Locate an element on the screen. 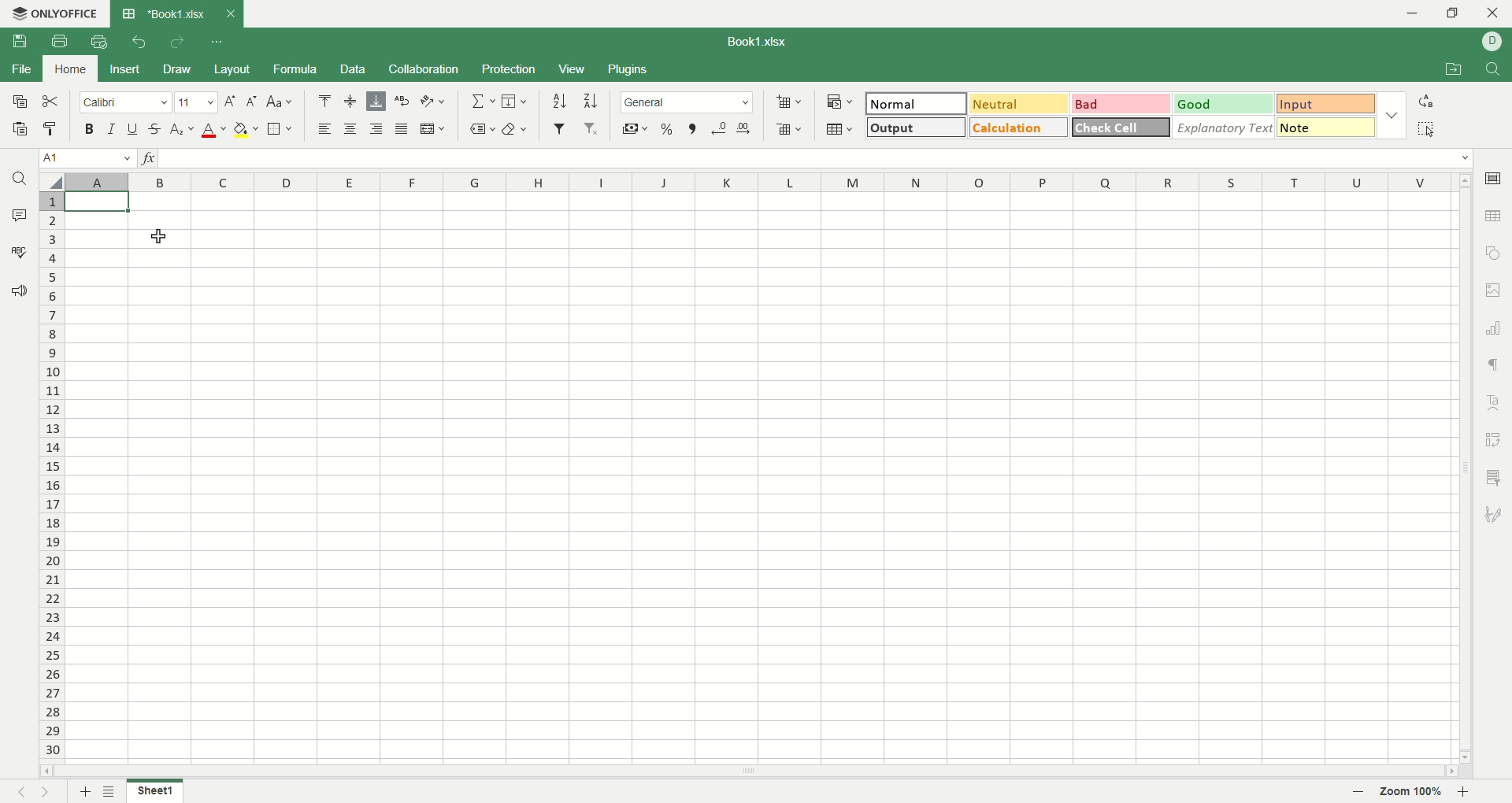  cut is located at coordinates (50, 102).